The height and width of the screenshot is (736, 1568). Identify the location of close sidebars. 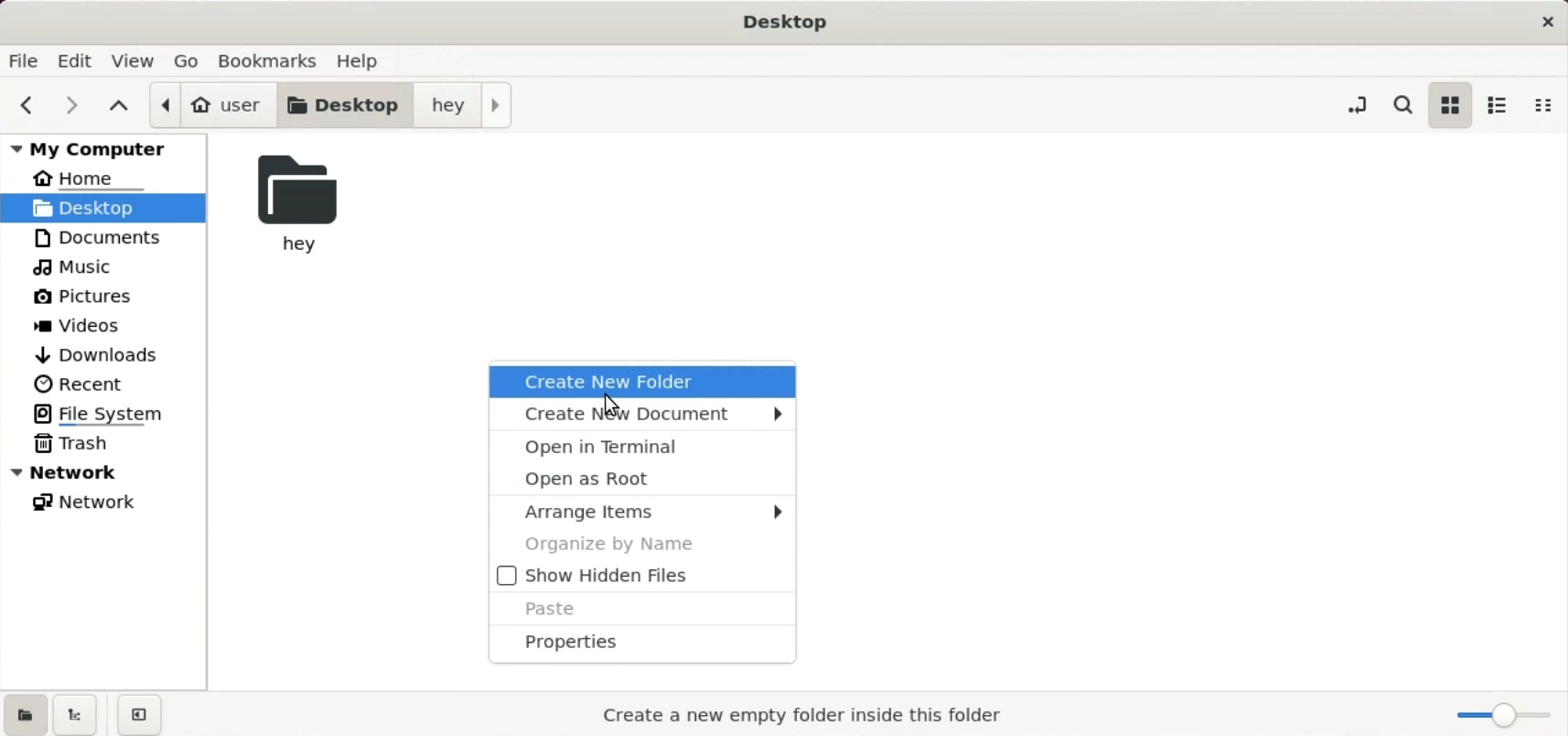
(141, 716).